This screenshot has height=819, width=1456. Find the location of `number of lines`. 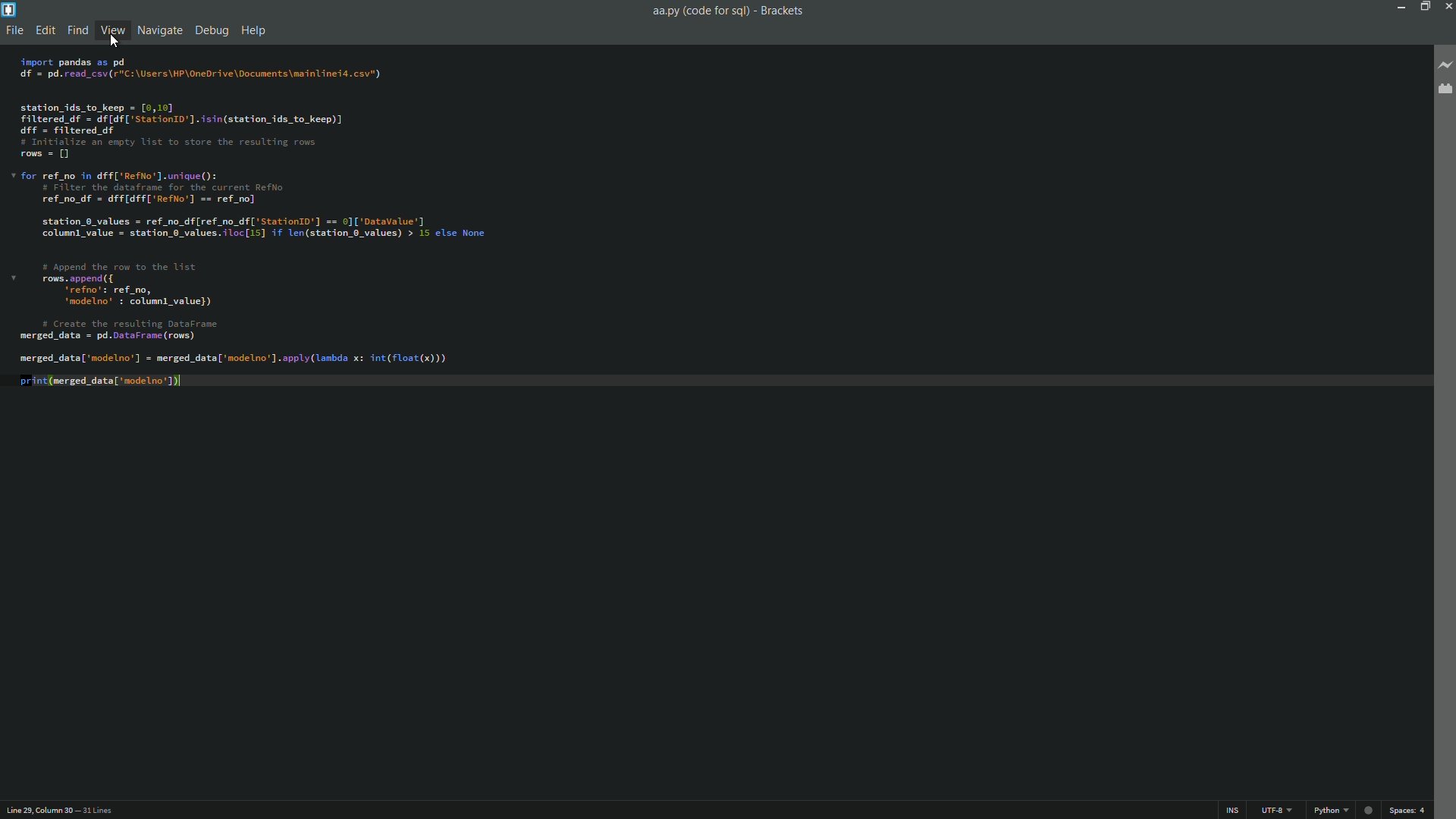

number of lines is located at coordinates (97, 811).